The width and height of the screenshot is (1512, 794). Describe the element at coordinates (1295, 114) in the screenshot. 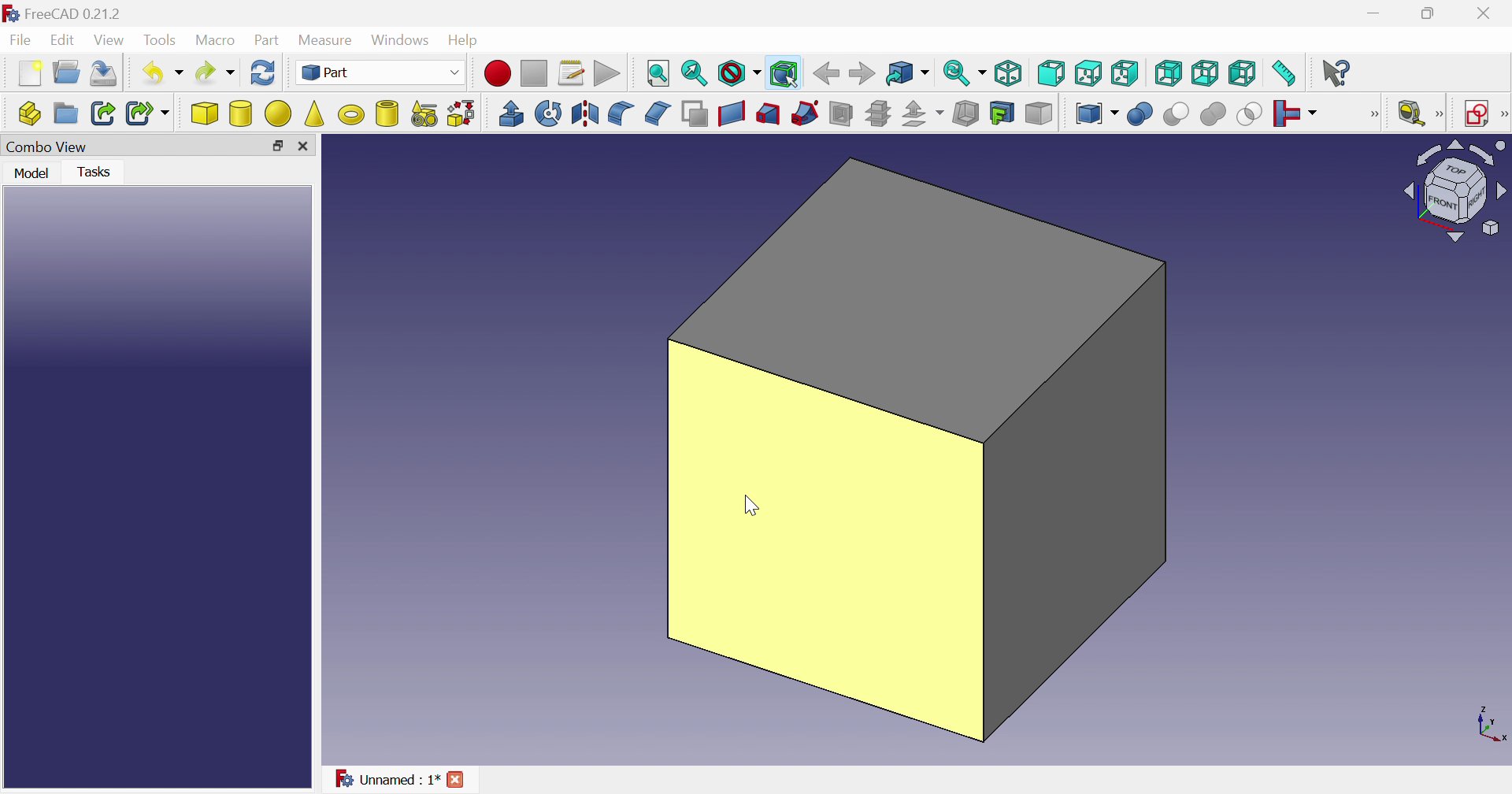

I see `Join objects...` at that location.